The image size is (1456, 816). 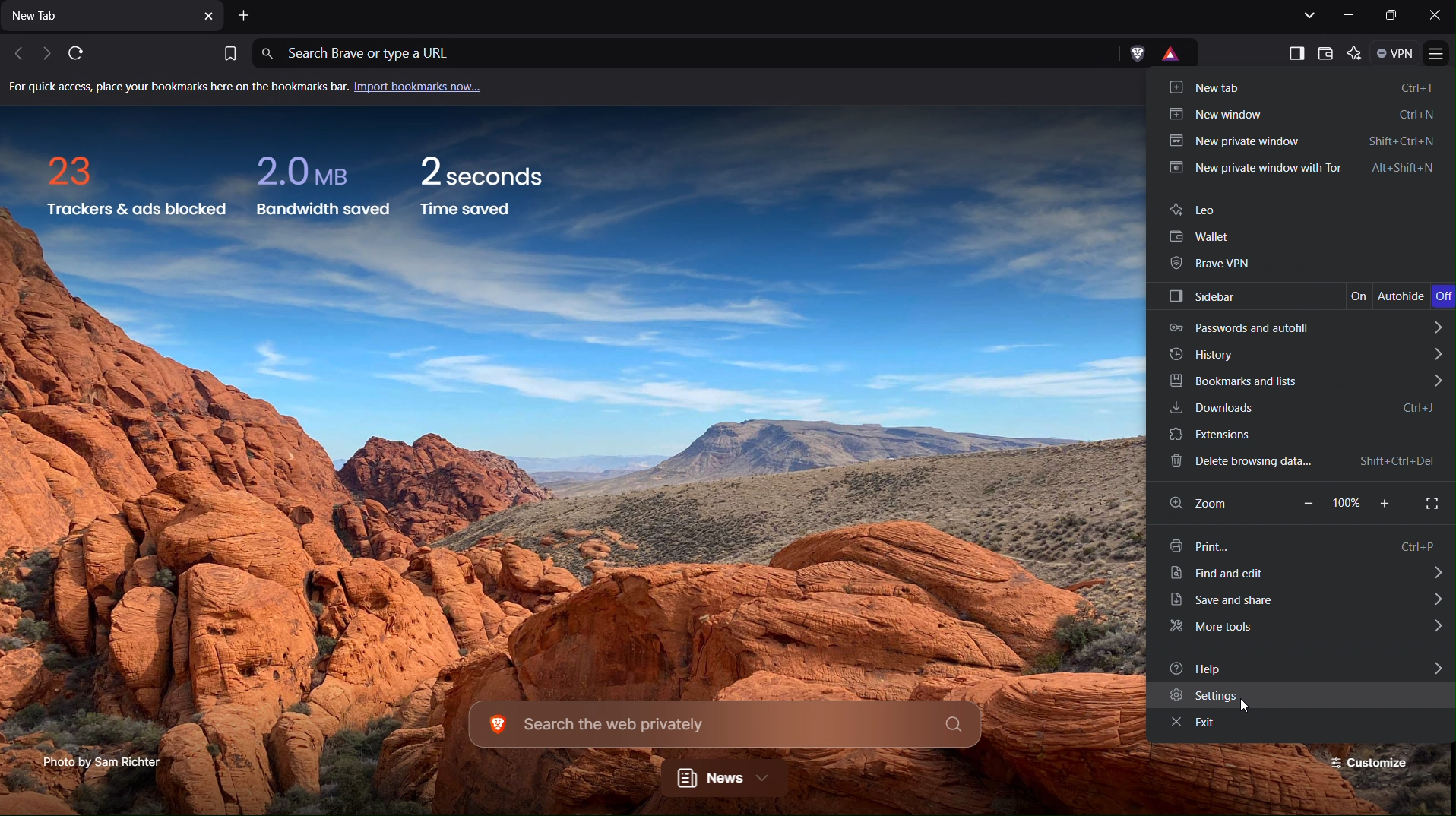 What do you see at coordinates (1438, 15) in the screenshot?
I see `Close` at bounding box center [1438, 15].